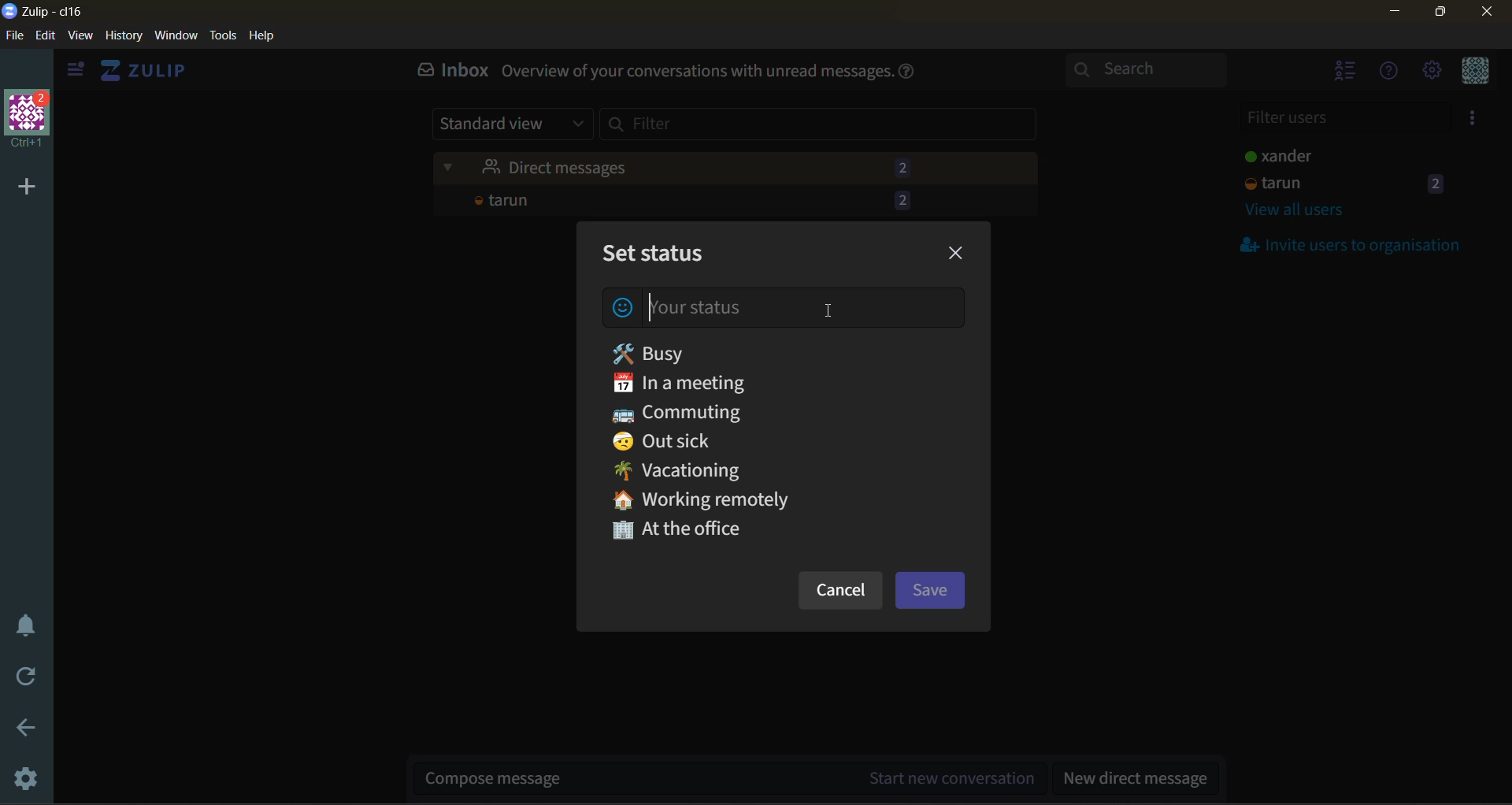  What do you see at coordinates (1362, 244) in the screenshot?
I see `invite users to organisation` at bounding box center [1362, 244].